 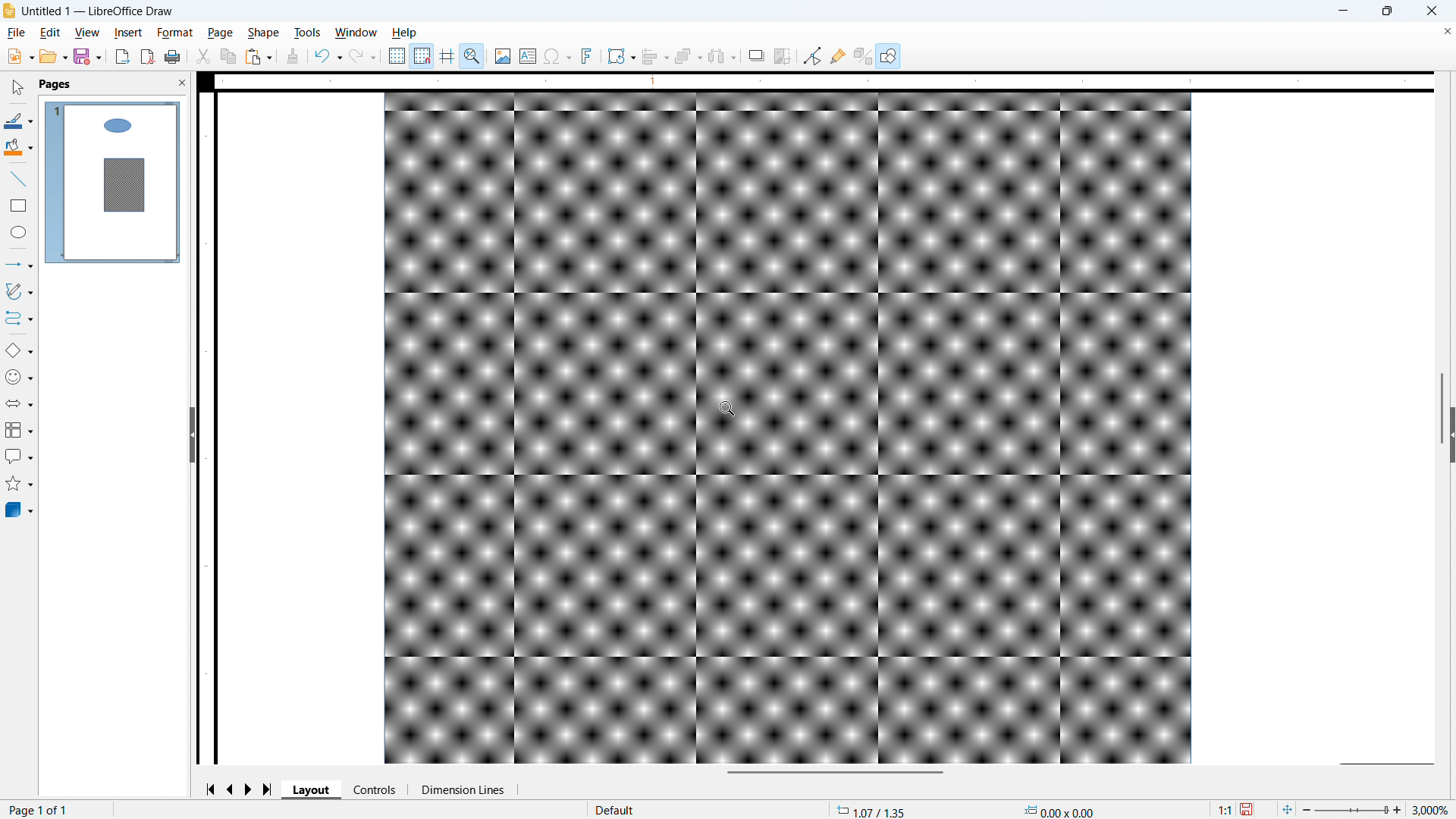 What do you see at coordinates (1248, 809) in the screenshot?
I see `save ` at bounding box center [1248, 809].